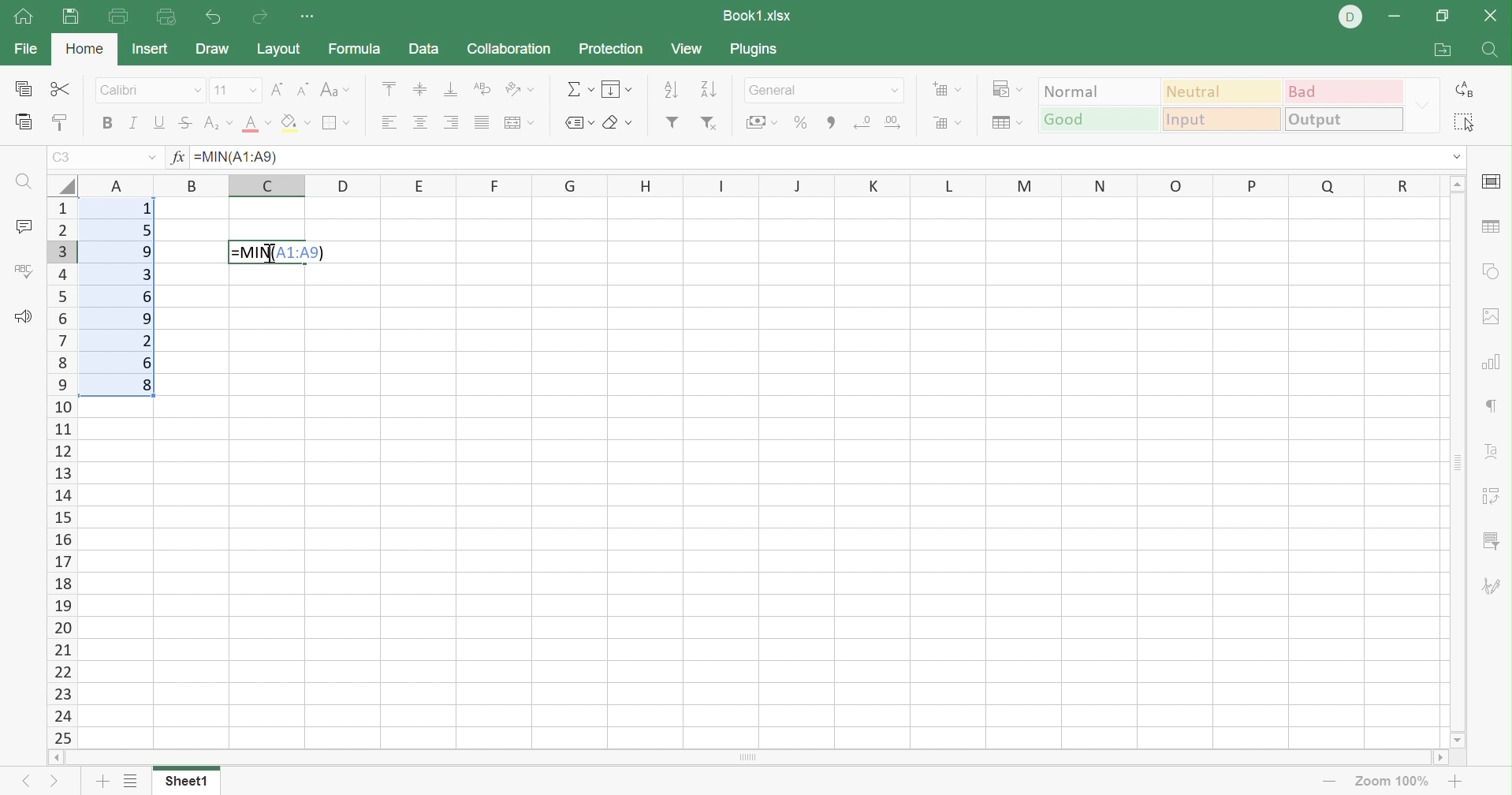  Describe the element at coordinates (776, 90) in the screenshot. I see `General` at that location.